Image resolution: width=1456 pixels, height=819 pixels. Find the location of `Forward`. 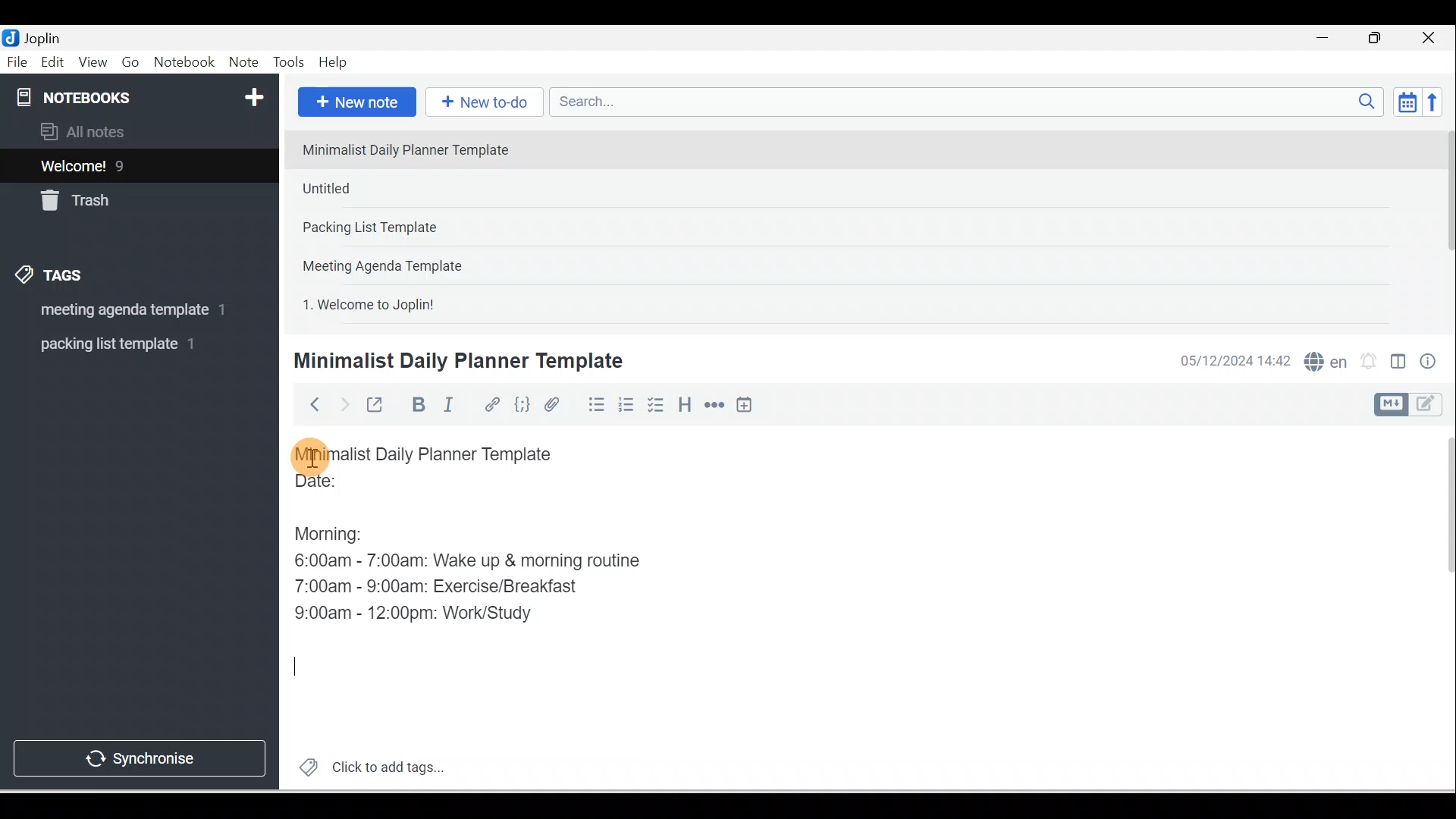

Forward is located at coordinates (343, 403).